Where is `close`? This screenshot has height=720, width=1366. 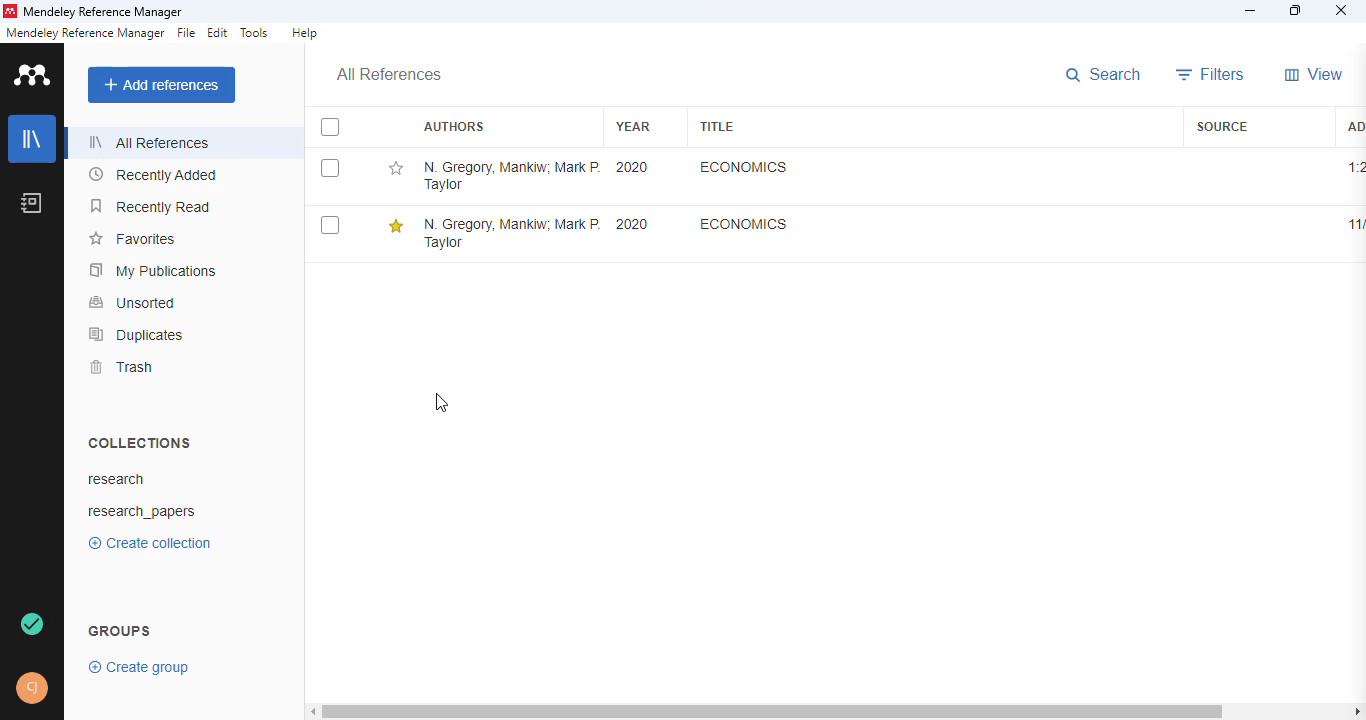
close is located at coordinates (1342, 11).